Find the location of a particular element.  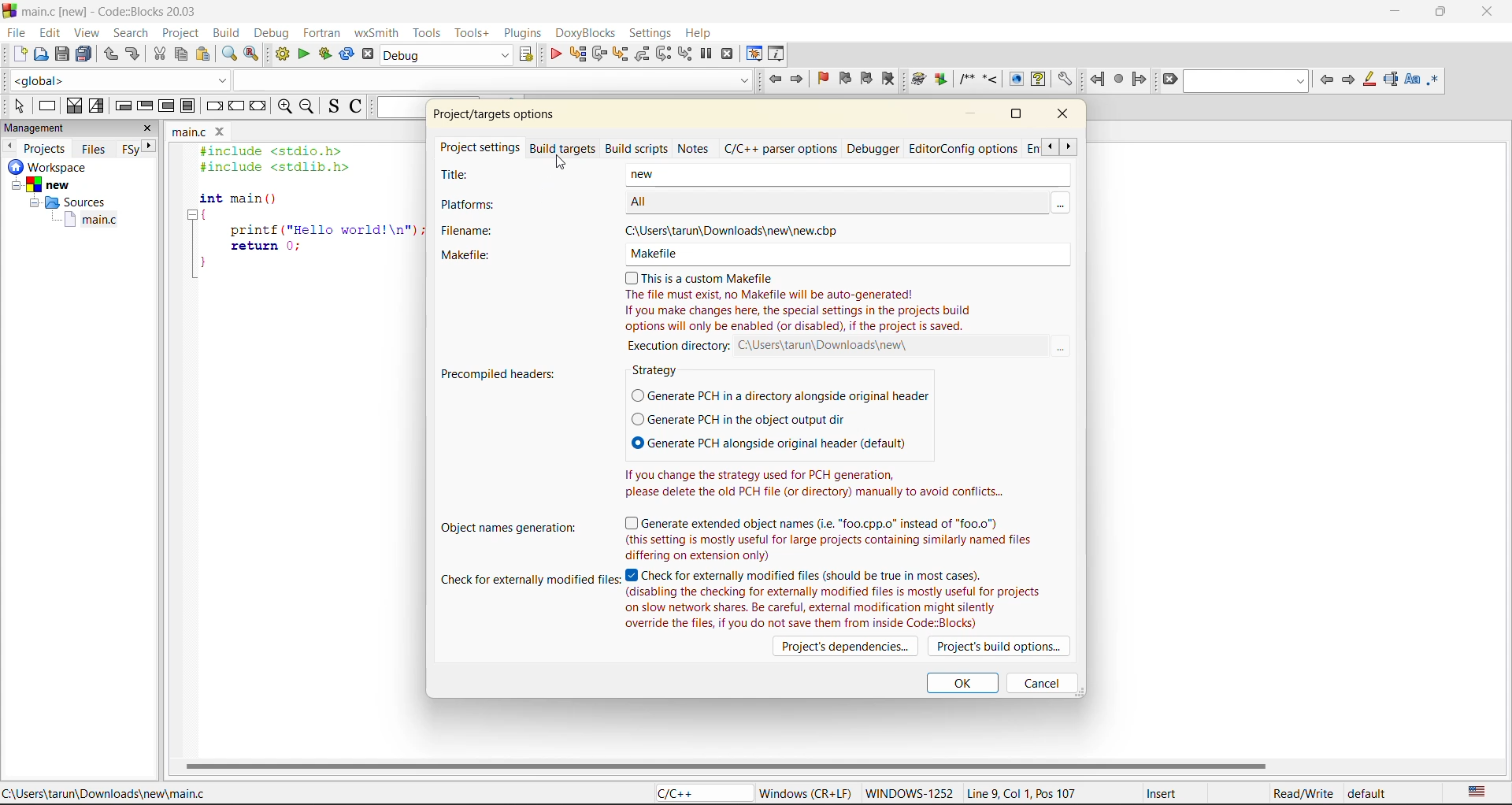

projects build options is located at coordinates (1002, 647).